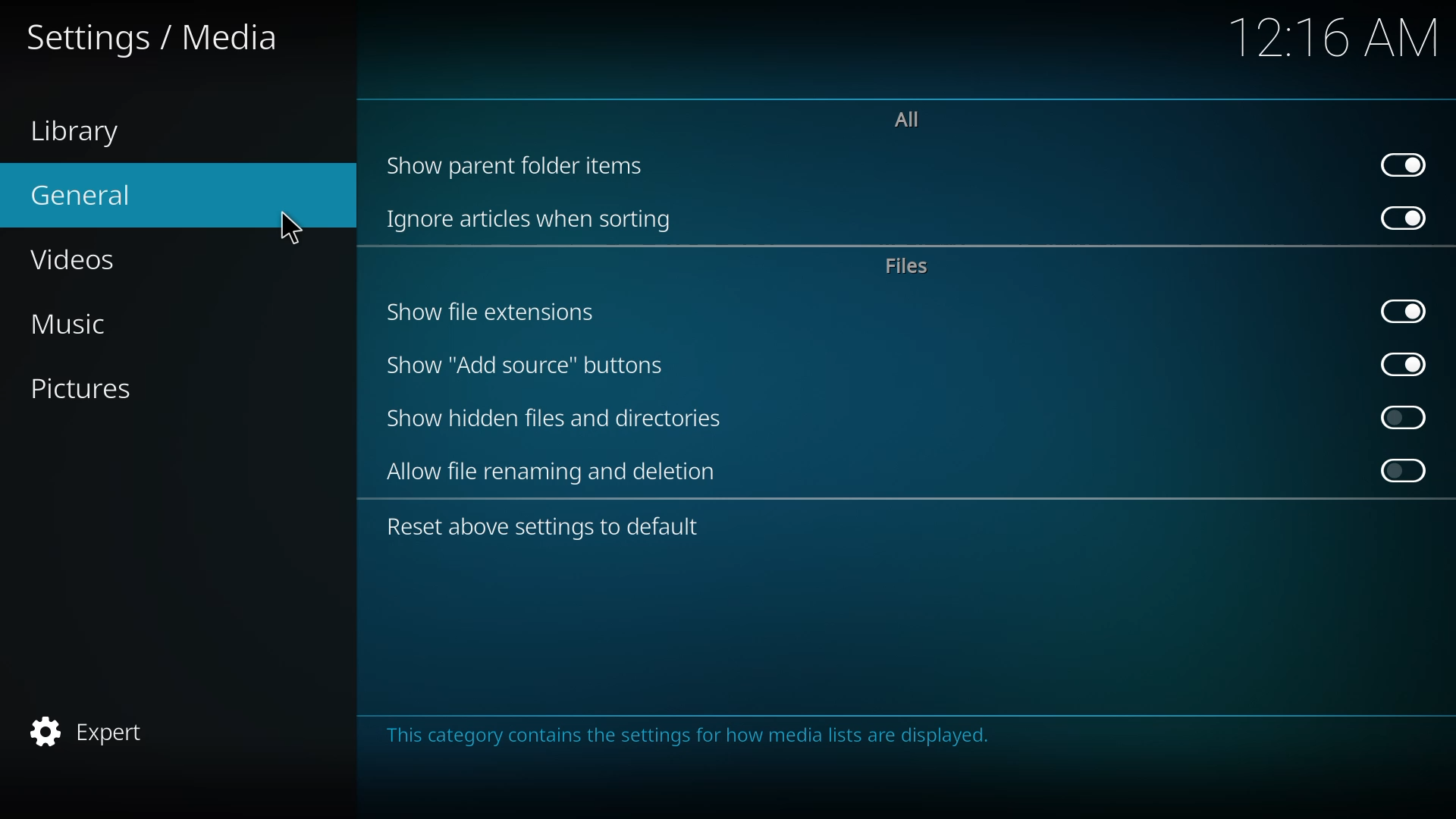 This screenshot has height=819, width=1456. Describe the element at coordinates (689, 748) in the screenshot. I see `This category contains the settings for how media lists are displayed.` at that location.